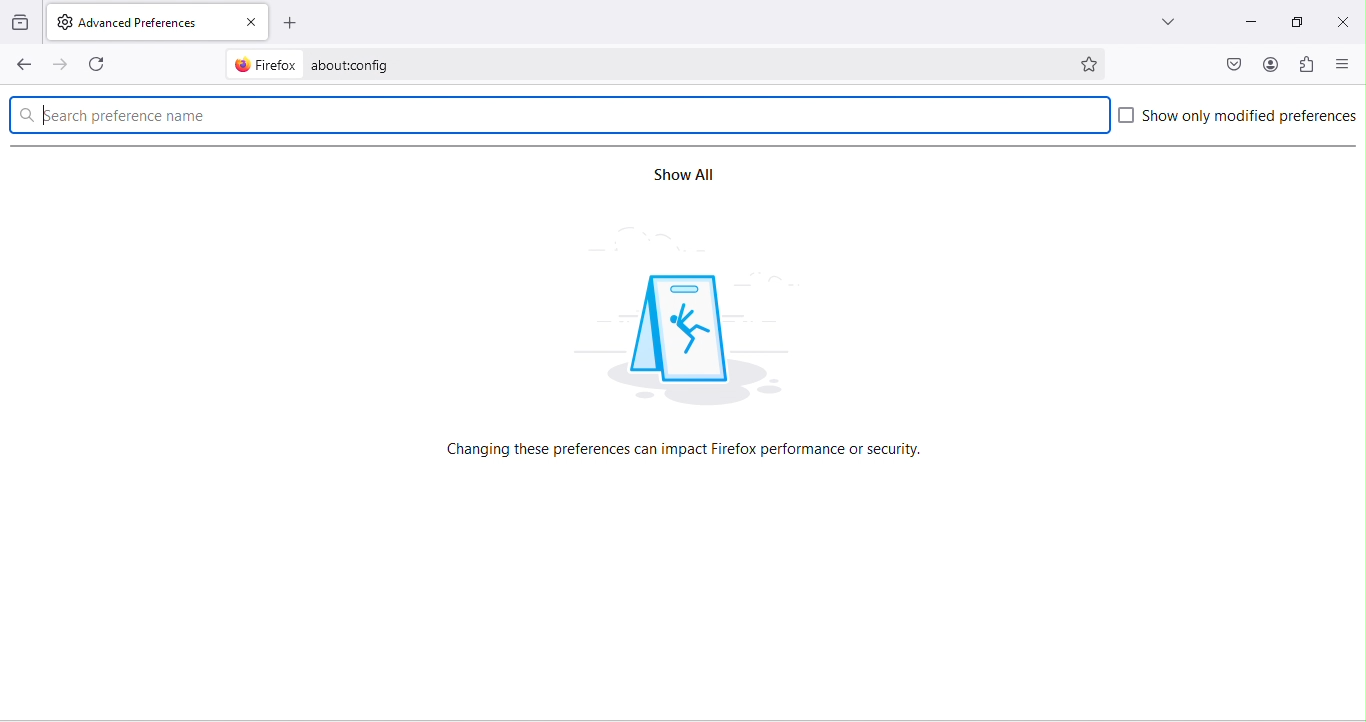 This screenshot has width=1366, height=722. I want to click on minimize, so click(1252, 22).